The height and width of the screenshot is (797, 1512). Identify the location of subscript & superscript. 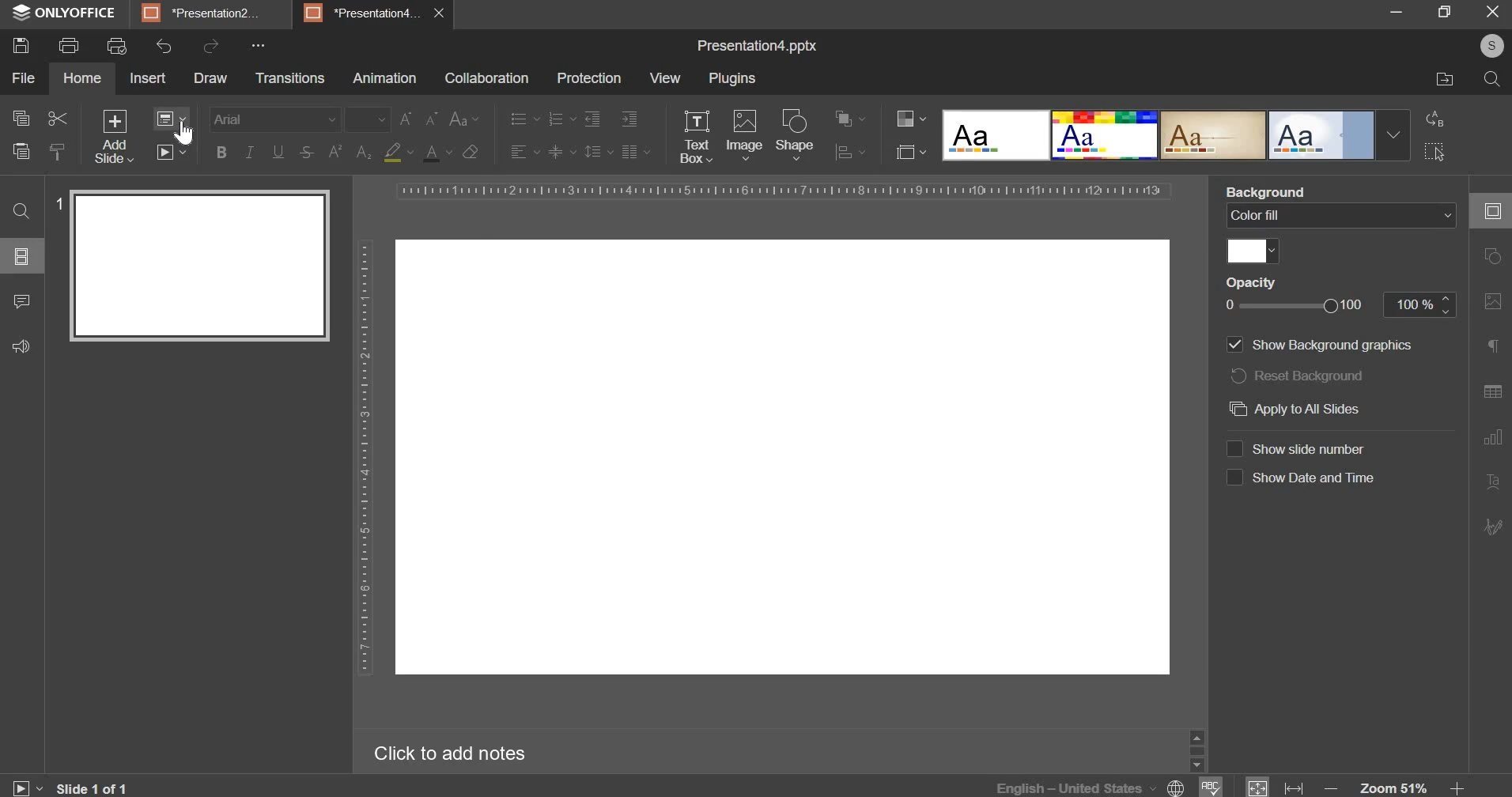
(349, 152).